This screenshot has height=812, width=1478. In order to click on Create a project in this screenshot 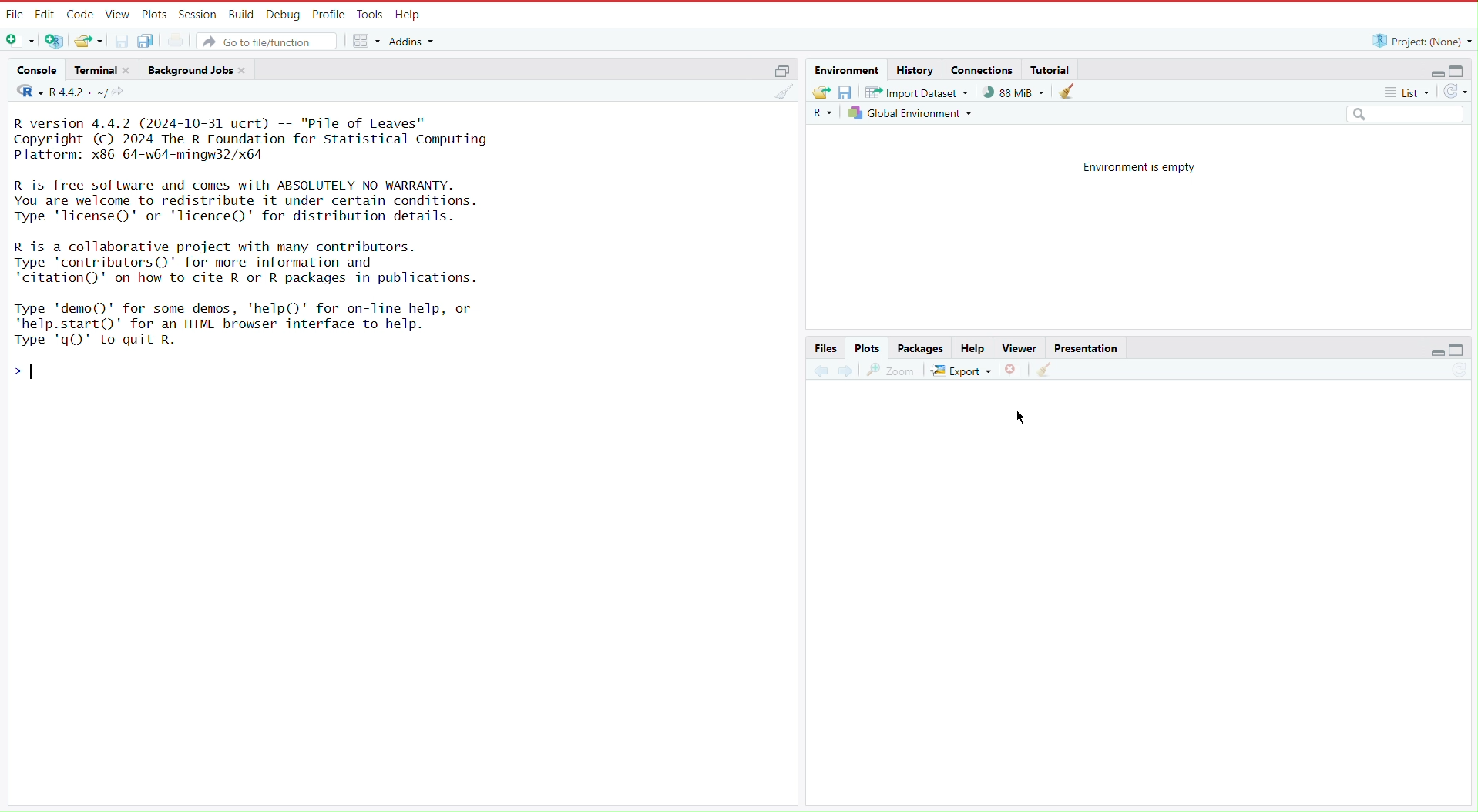, I will do `click(56, 40)`.